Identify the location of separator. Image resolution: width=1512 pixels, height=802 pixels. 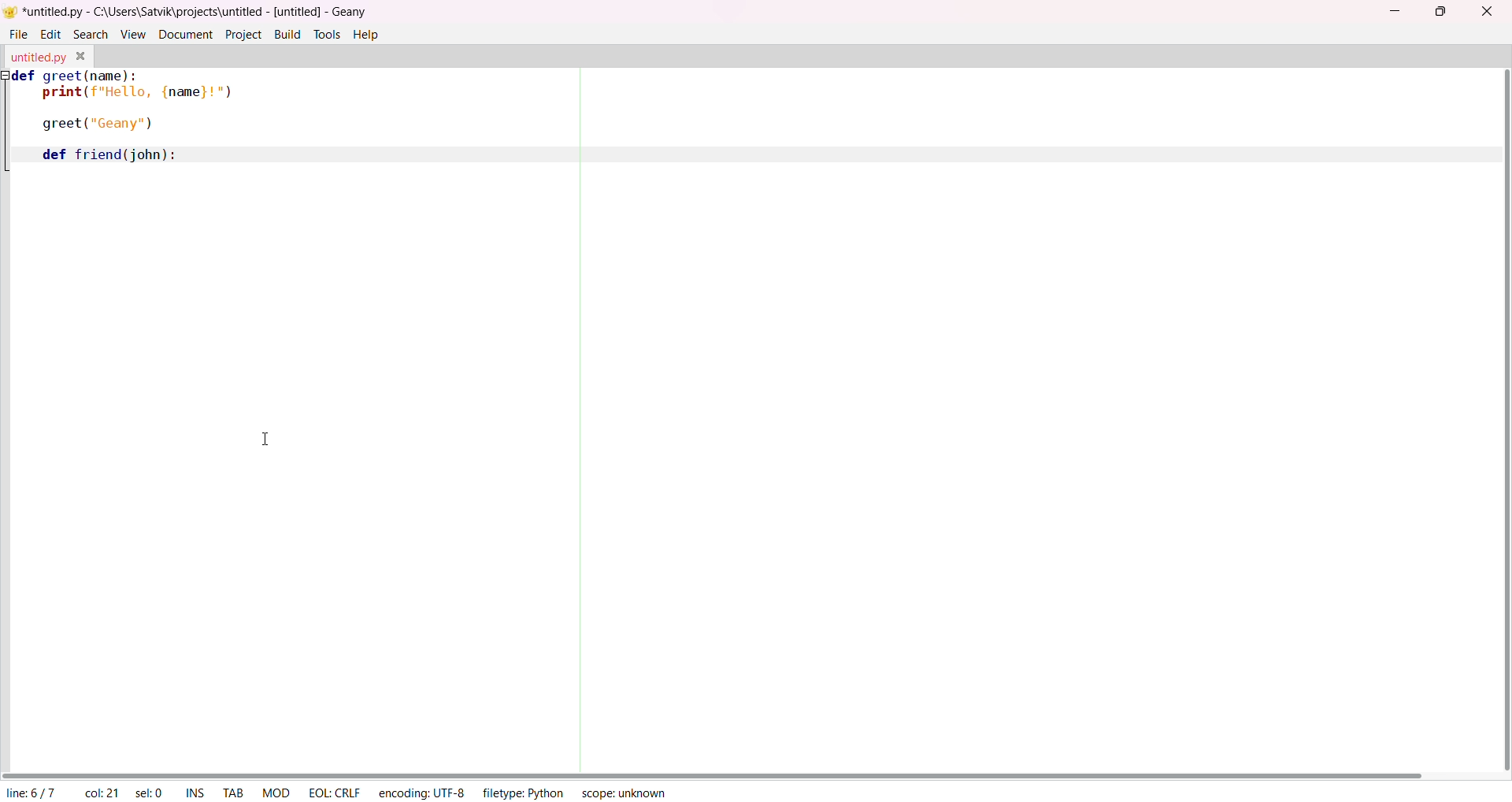
(579, 418).